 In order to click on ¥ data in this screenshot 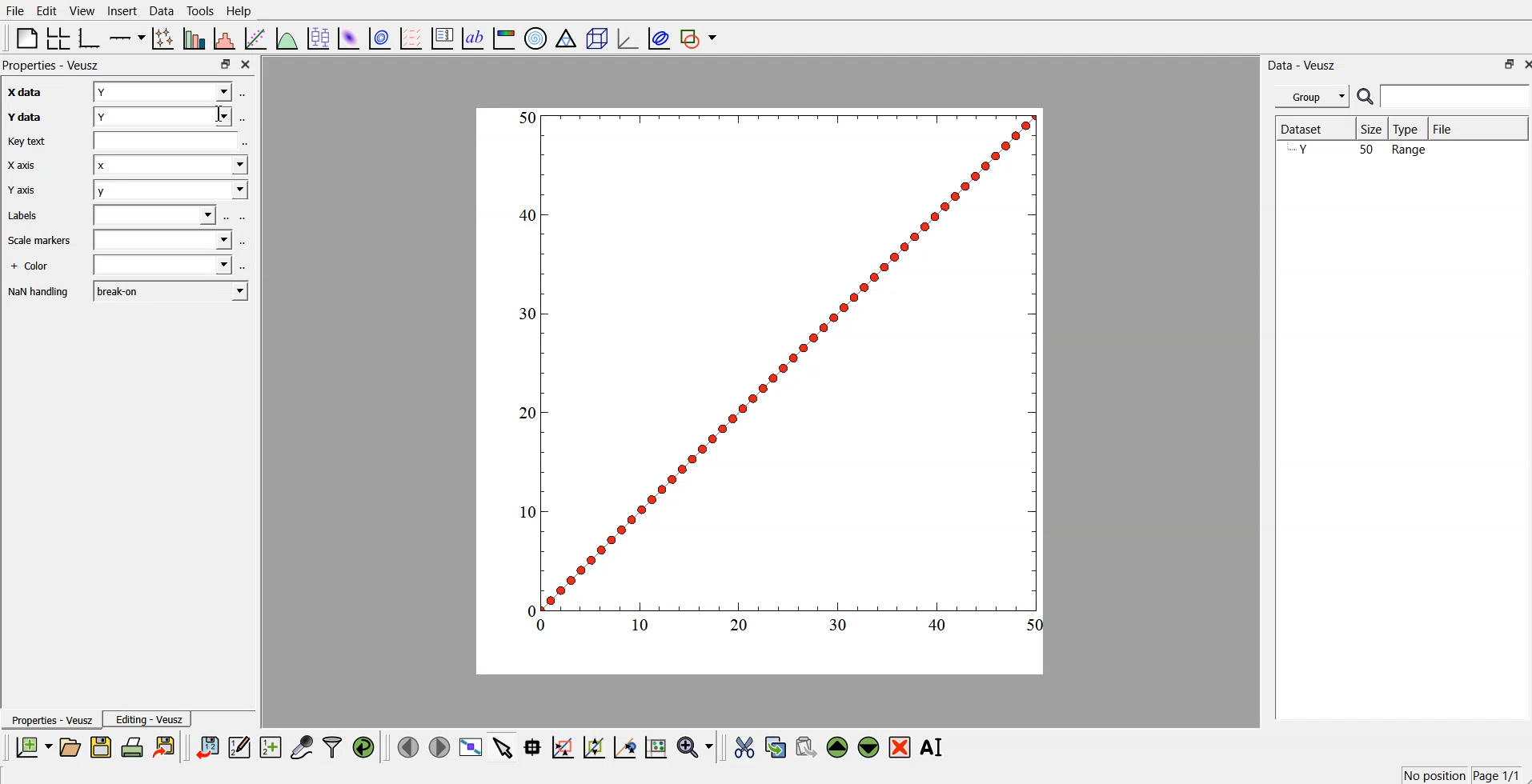, I will do `click(35, 117)`.